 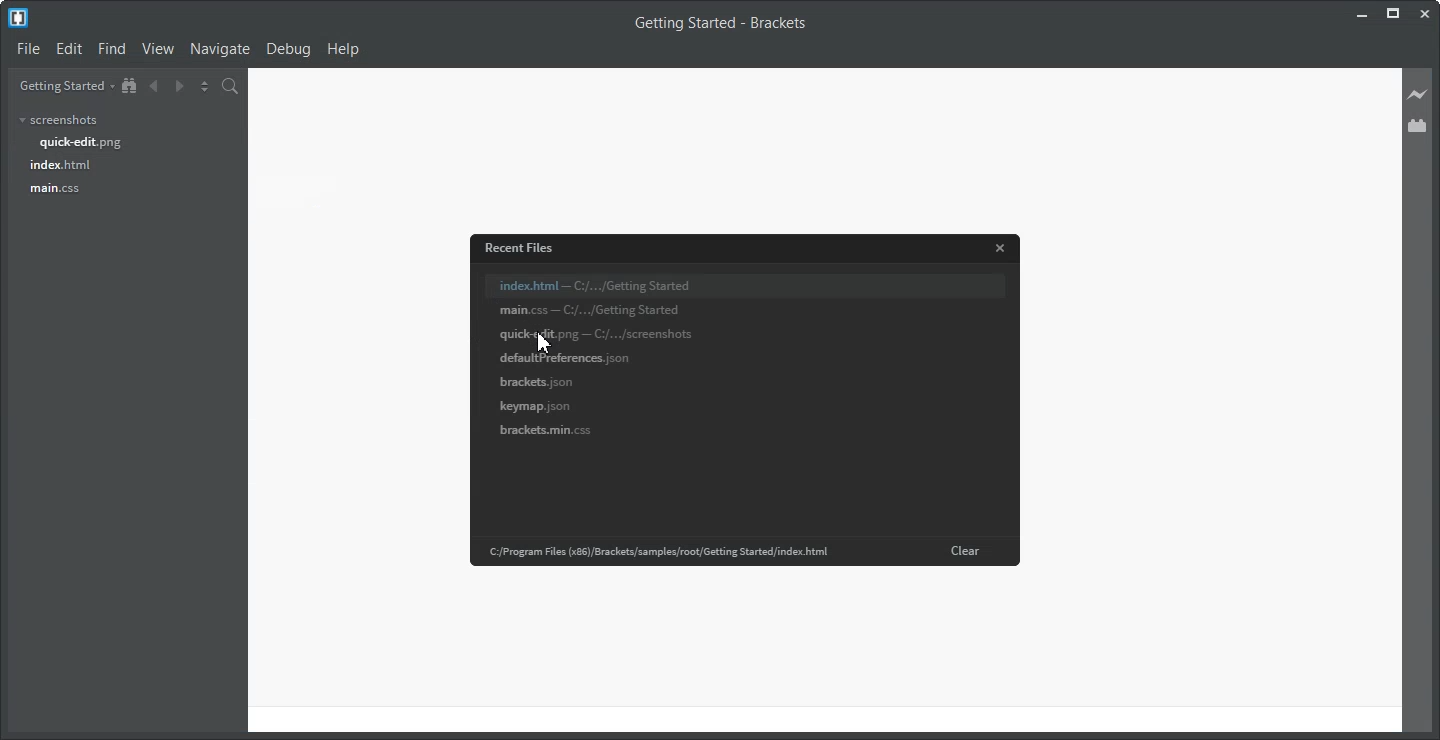 What do you see at coordinates (520, 248) in the screenshot?
I see `Recent Files` at bounding box center [520, 248].